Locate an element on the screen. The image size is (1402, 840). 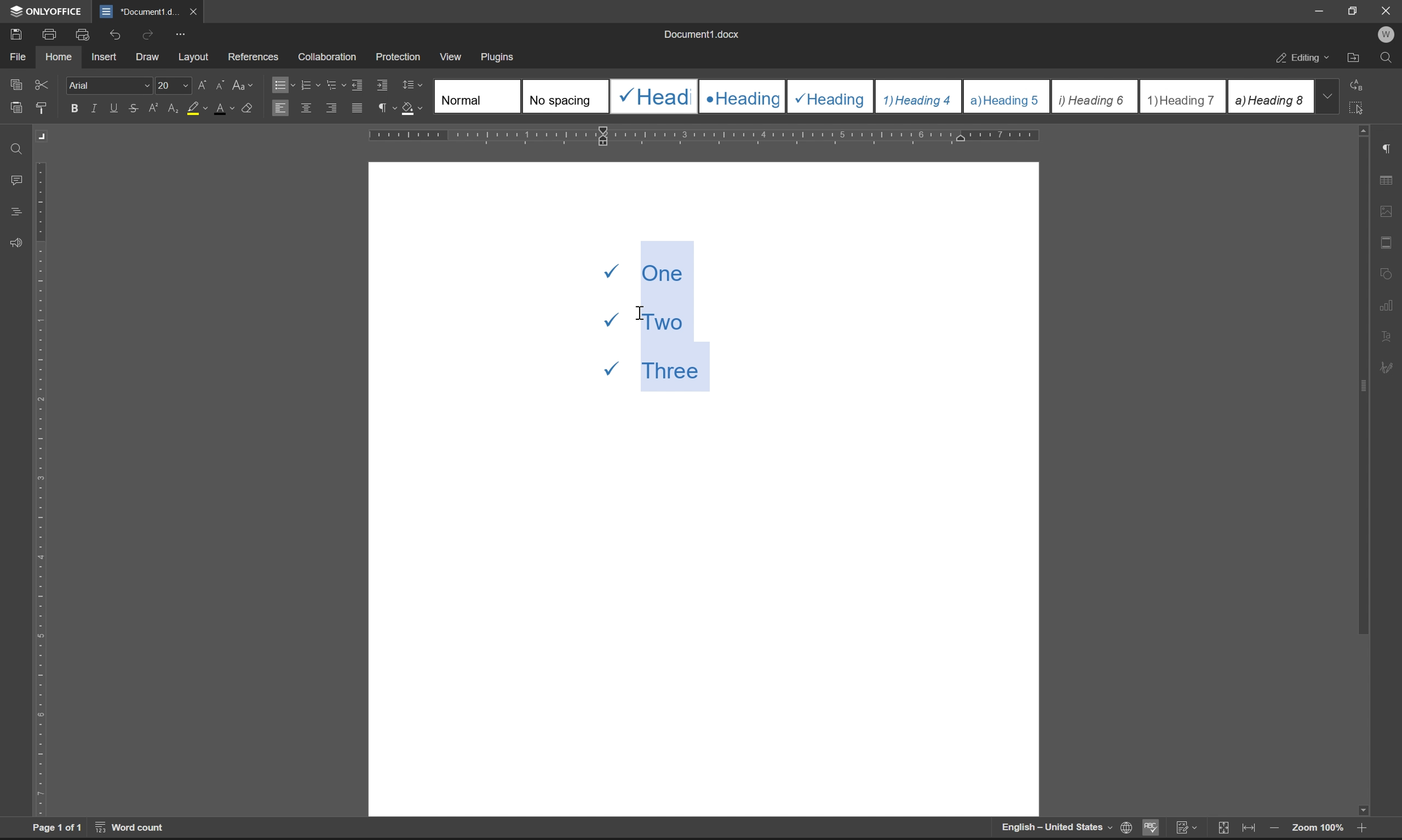
numbering is located at coordinates (310, 85).